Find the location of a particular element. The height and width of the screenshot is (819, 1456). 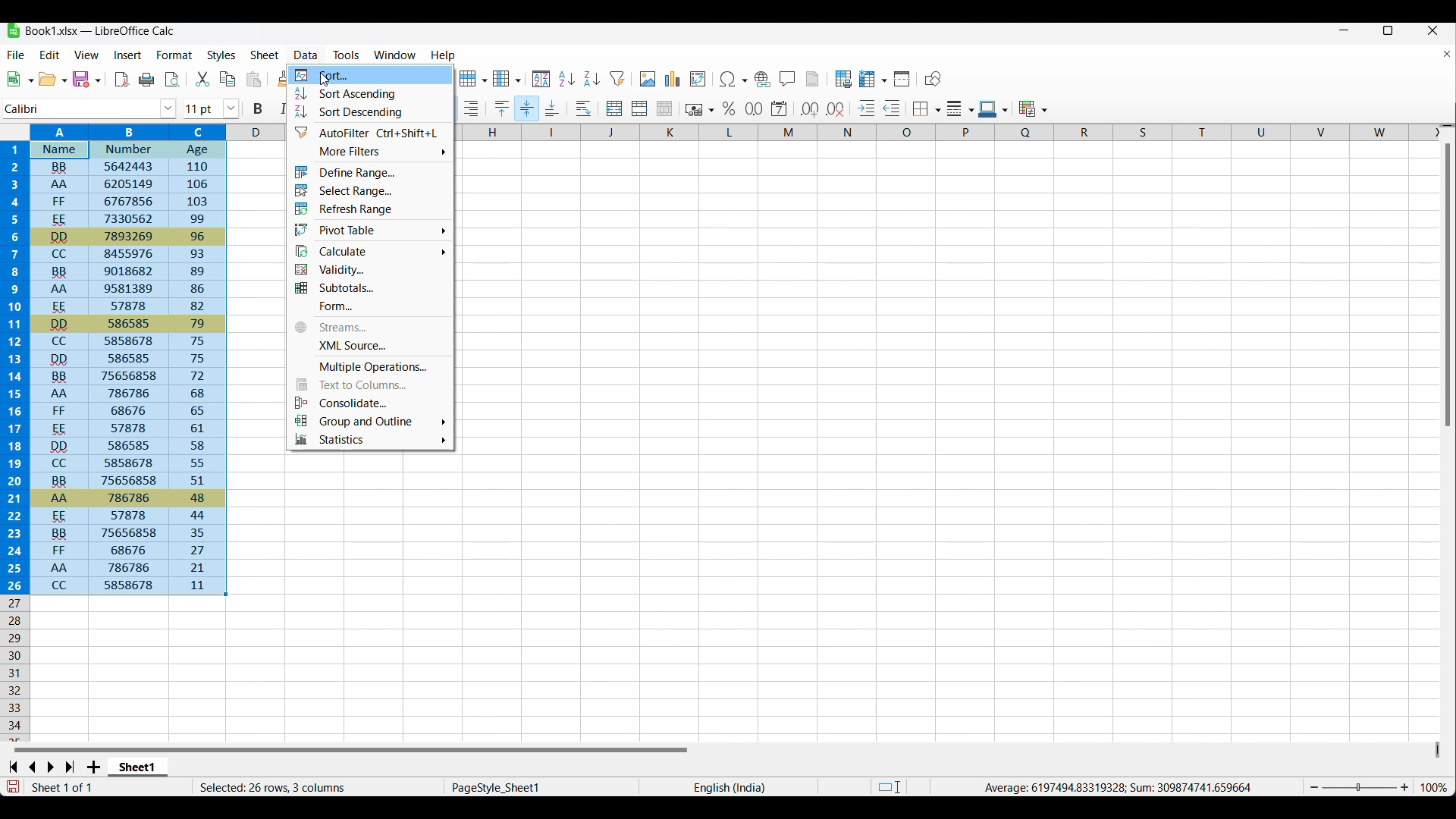

Current border color and other border color options is located at coordinates (993, 109).